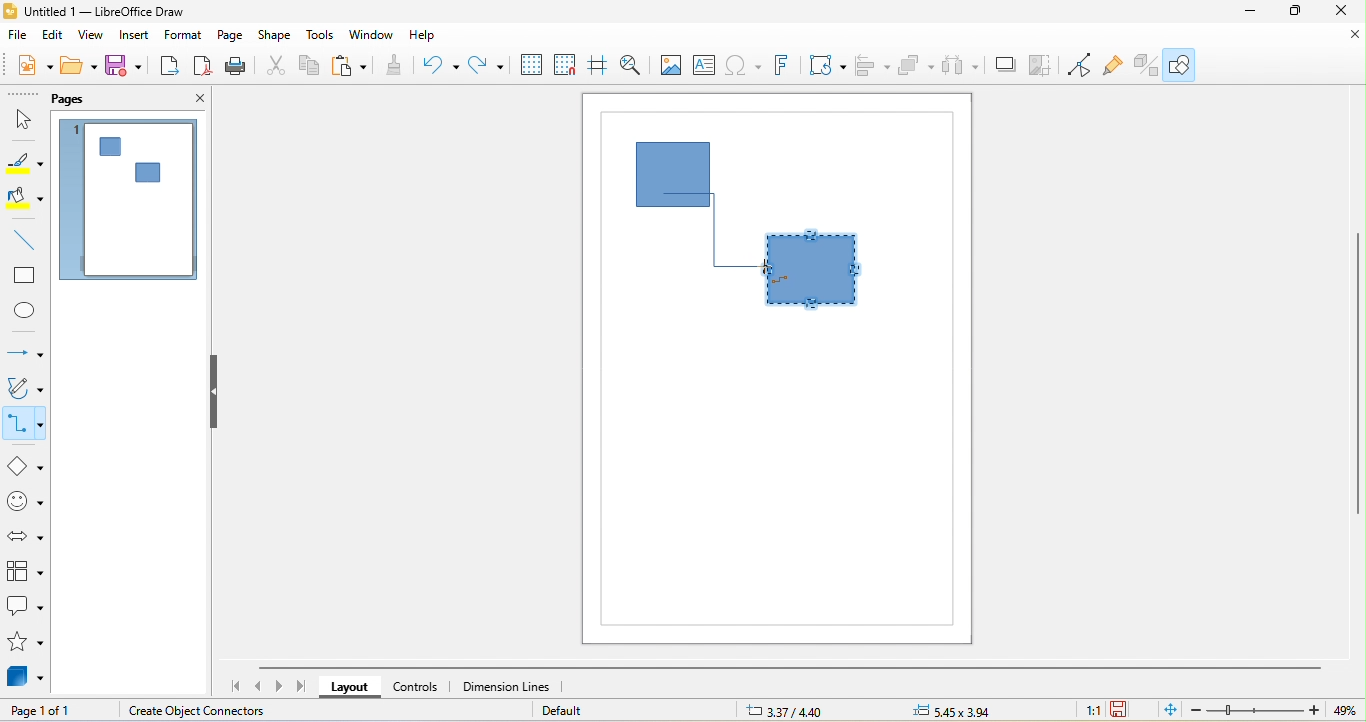  Describe the element at coordinates (24, 352) in the screenshot. I see `lines and arrow` at that location.